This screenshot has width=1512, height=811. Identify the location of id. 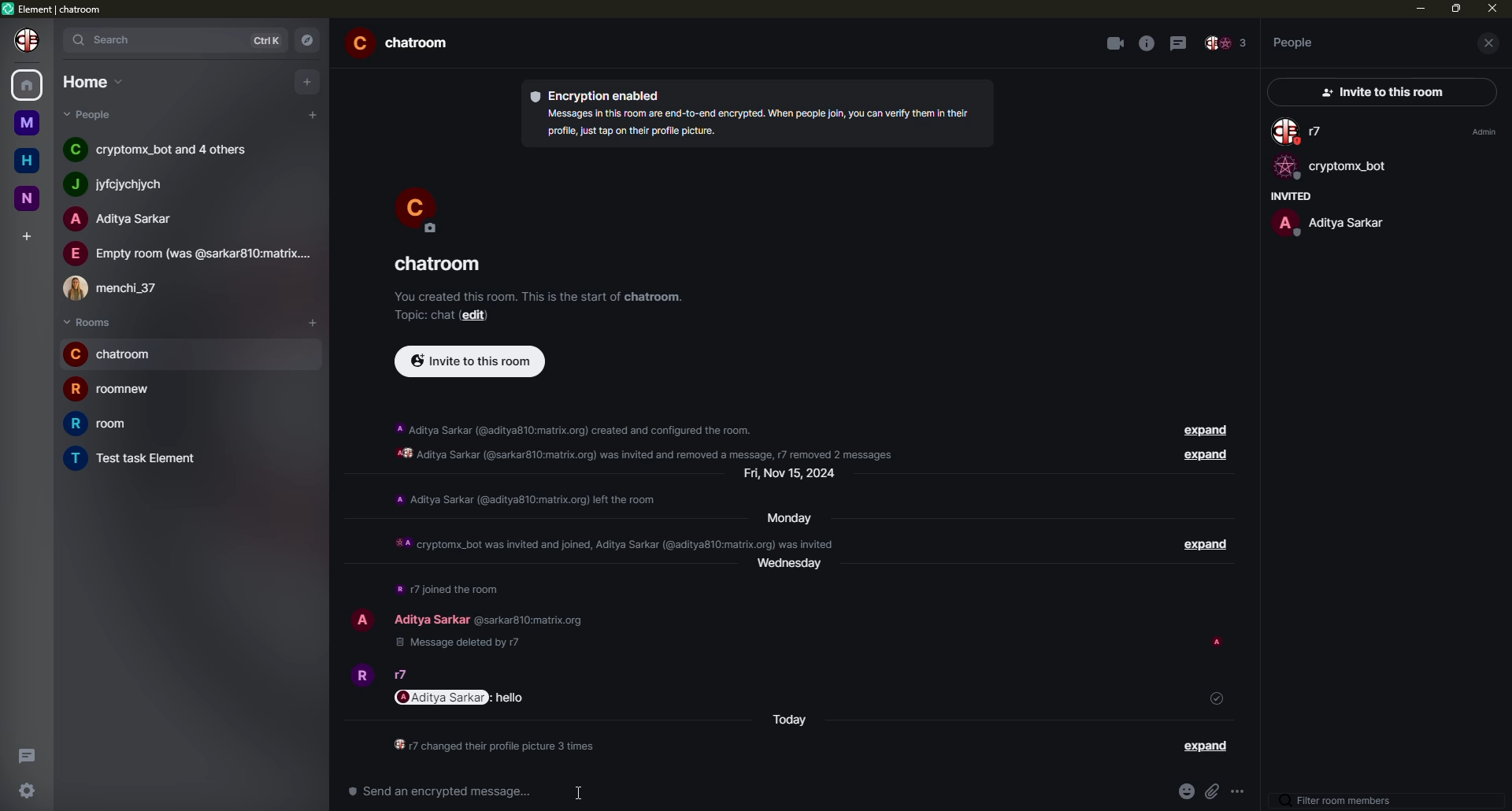
(527, 621).